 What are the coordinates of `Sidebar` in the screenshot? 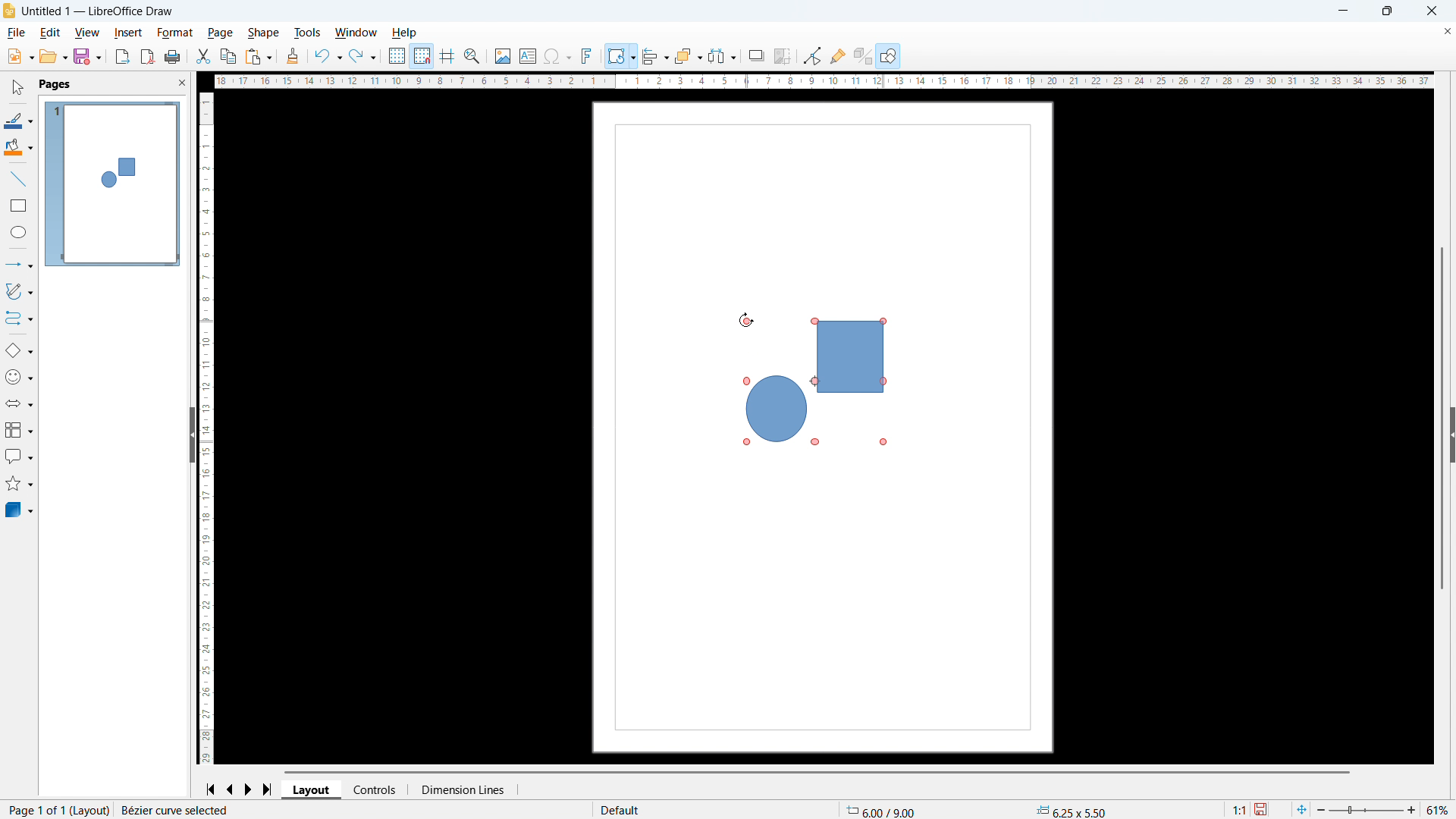 It's located at (1447, 434).